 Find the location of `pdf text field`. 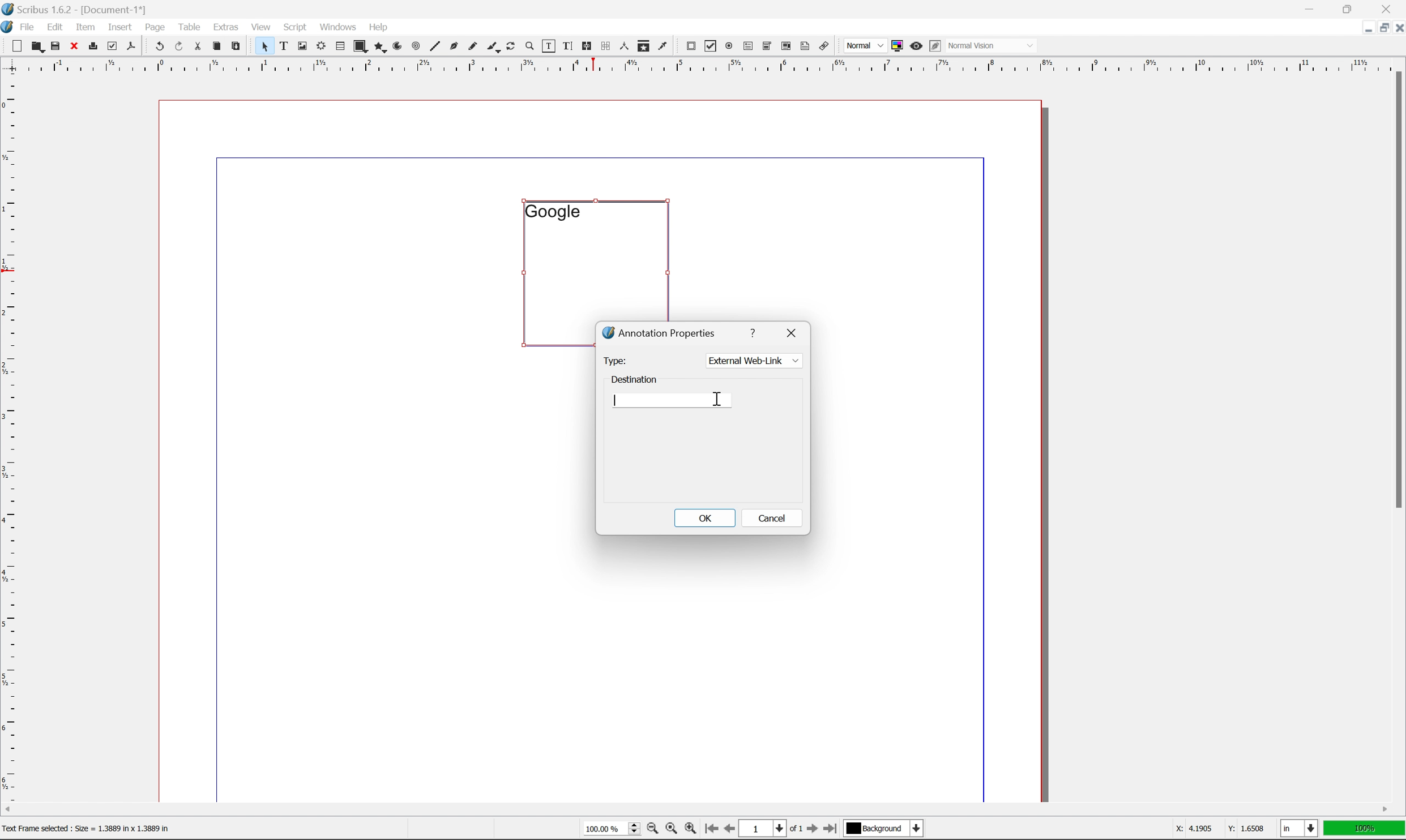

pdf text field is located at coordinates (746, 47).